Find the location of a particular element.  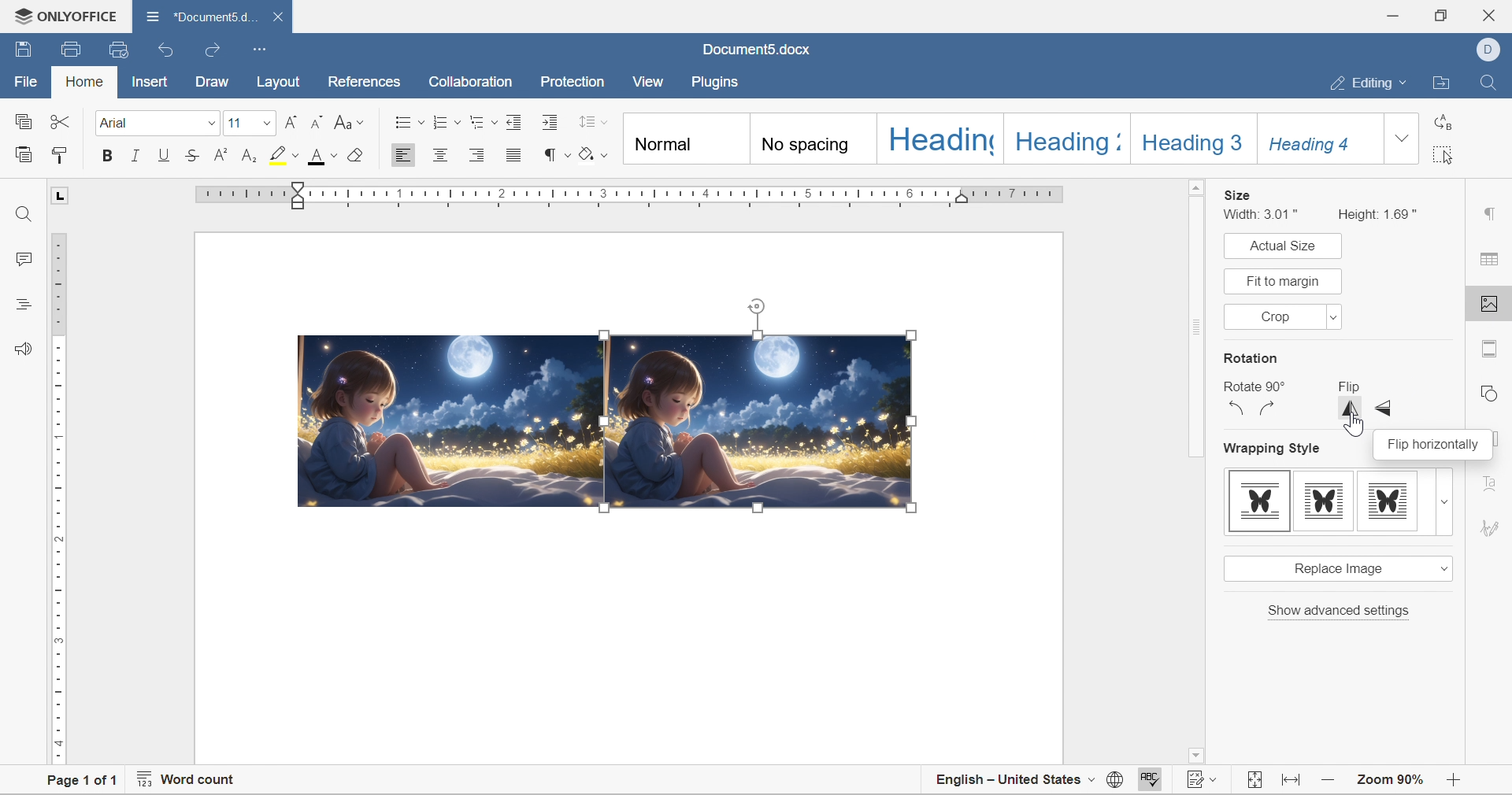

drop down is located at coordinates (1333, 317).